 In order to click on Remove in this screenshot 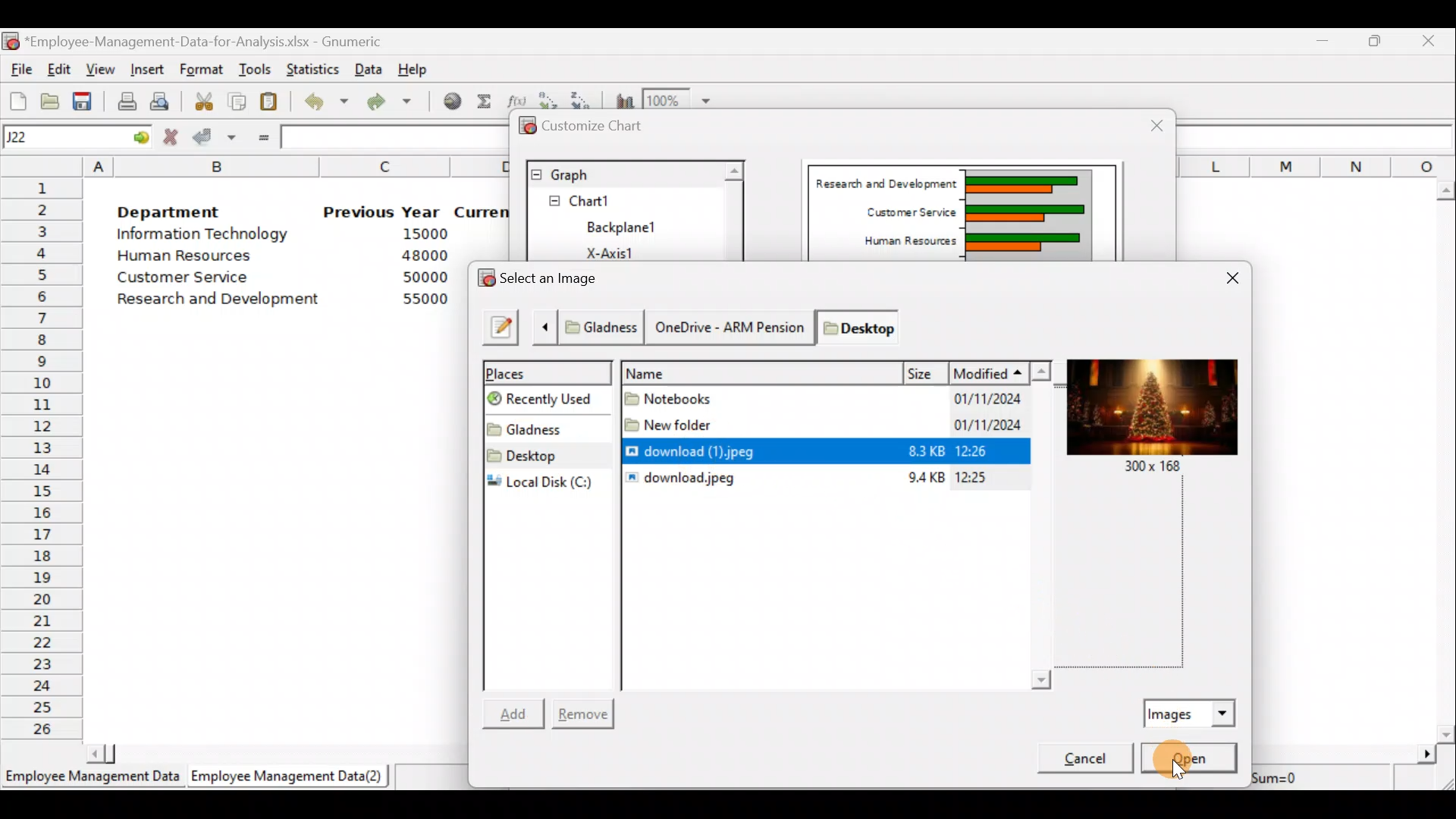, I will do `click(585, 711)`.